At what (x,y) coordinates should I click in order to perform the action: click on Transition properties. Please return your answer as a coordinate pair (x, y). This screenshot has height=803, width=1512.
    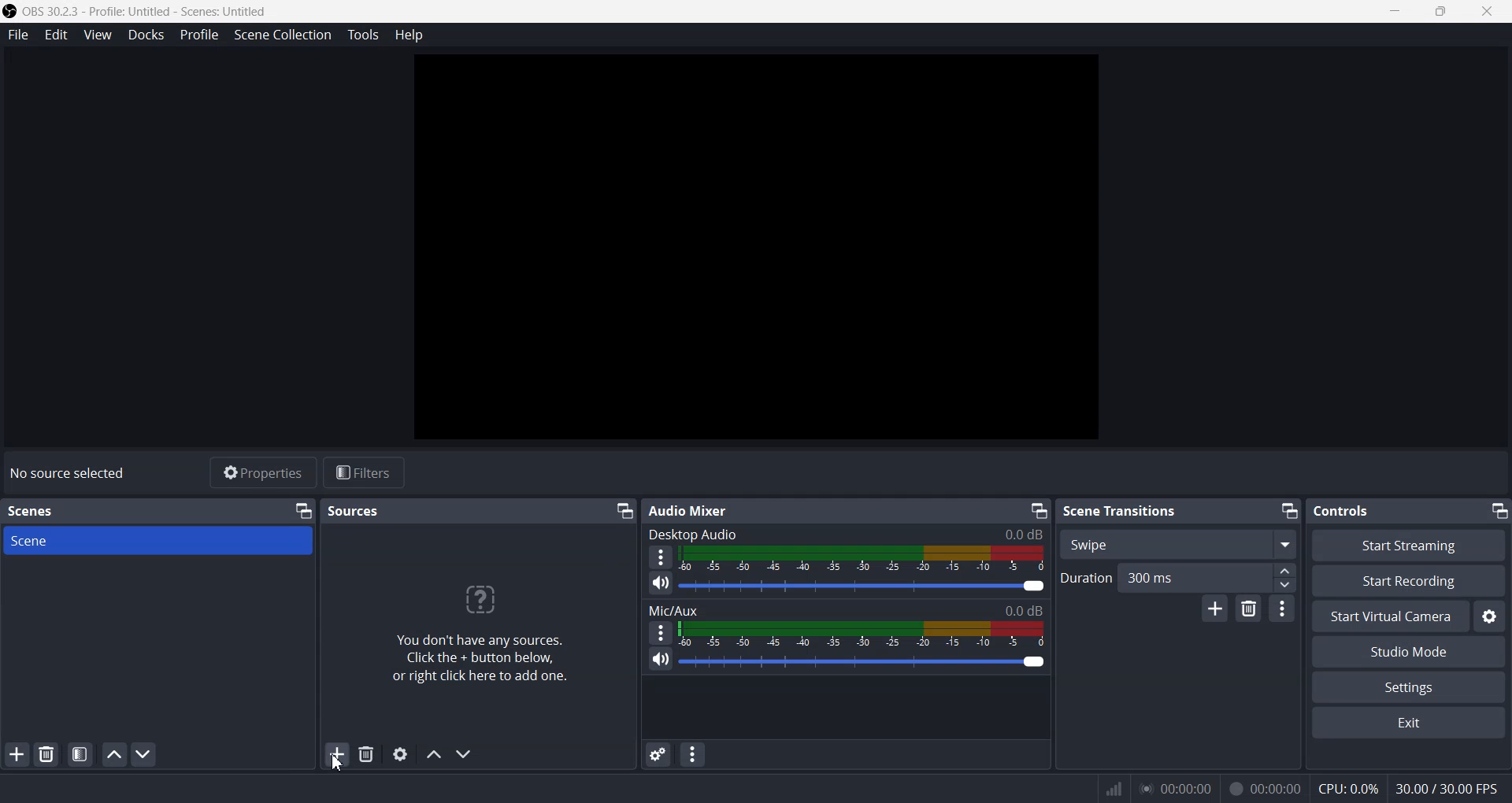
    Looking at the image, I should click on (1281, 608).